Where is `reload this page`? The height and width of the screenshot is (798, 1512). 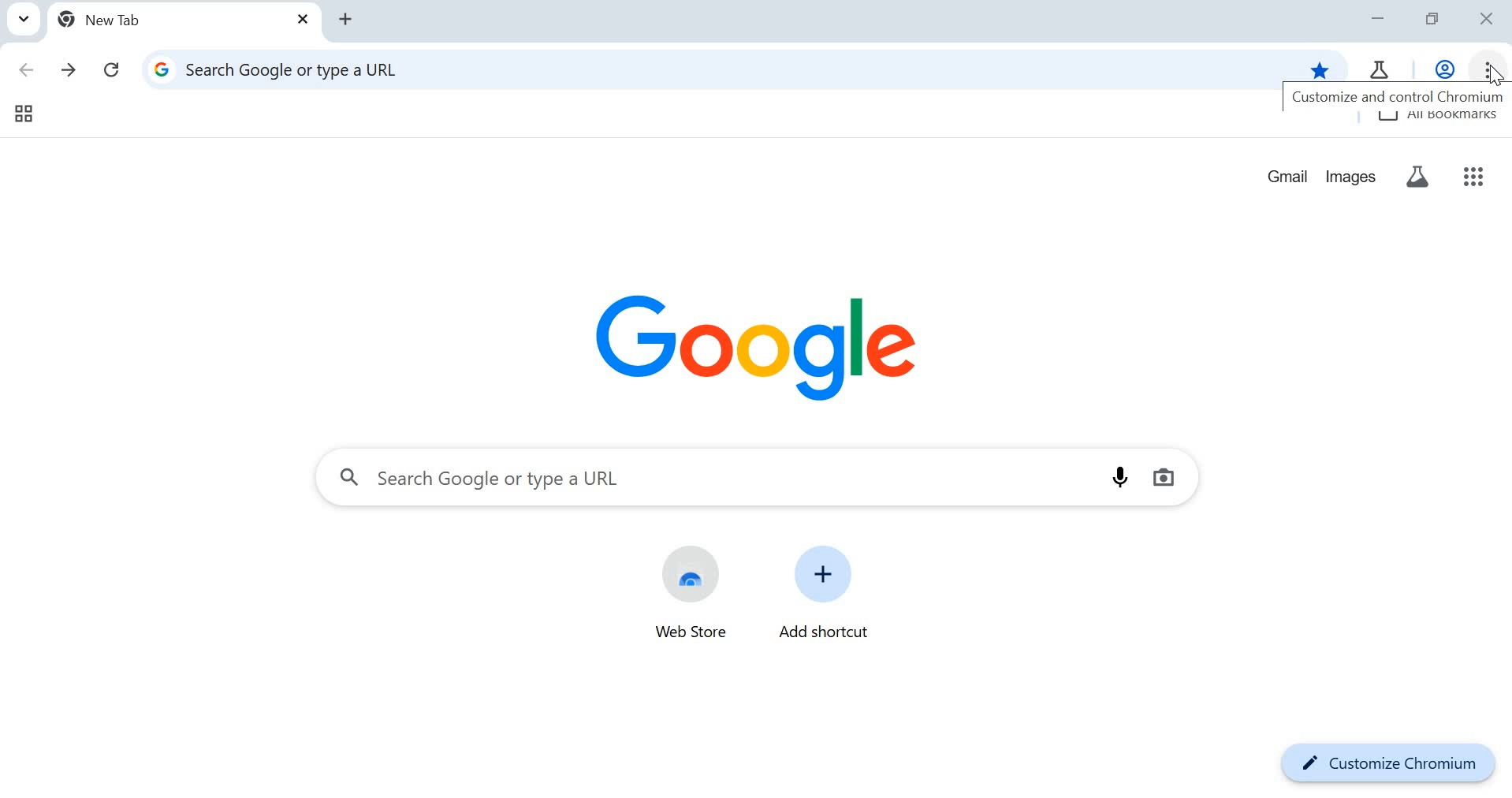 reload this page is located at coordinates (110, 68).